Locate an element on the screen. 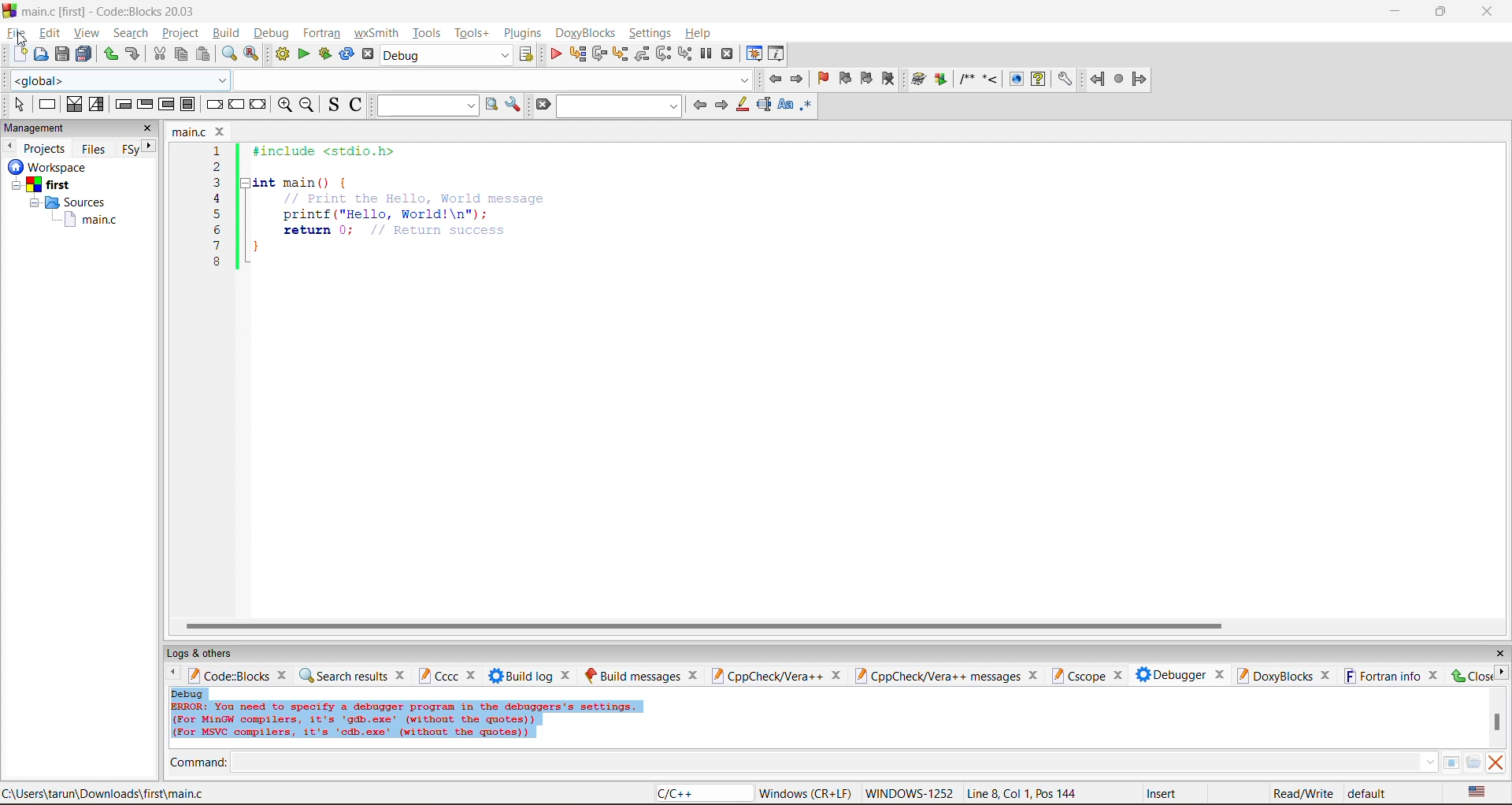  debug/continue is located at coordinates (555, 54).